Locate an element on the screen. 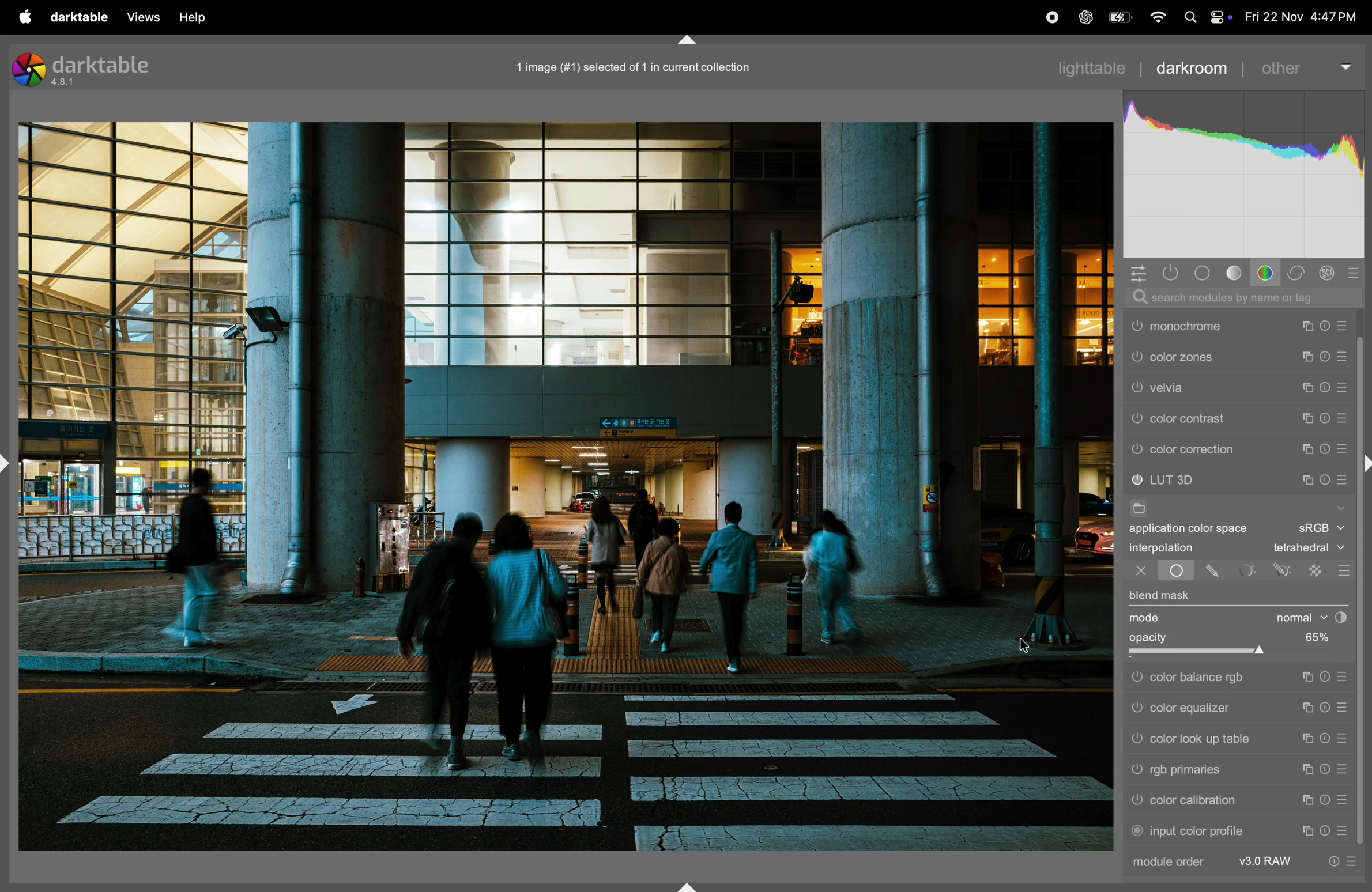  sRgb is located at coordinates (1322, 528).